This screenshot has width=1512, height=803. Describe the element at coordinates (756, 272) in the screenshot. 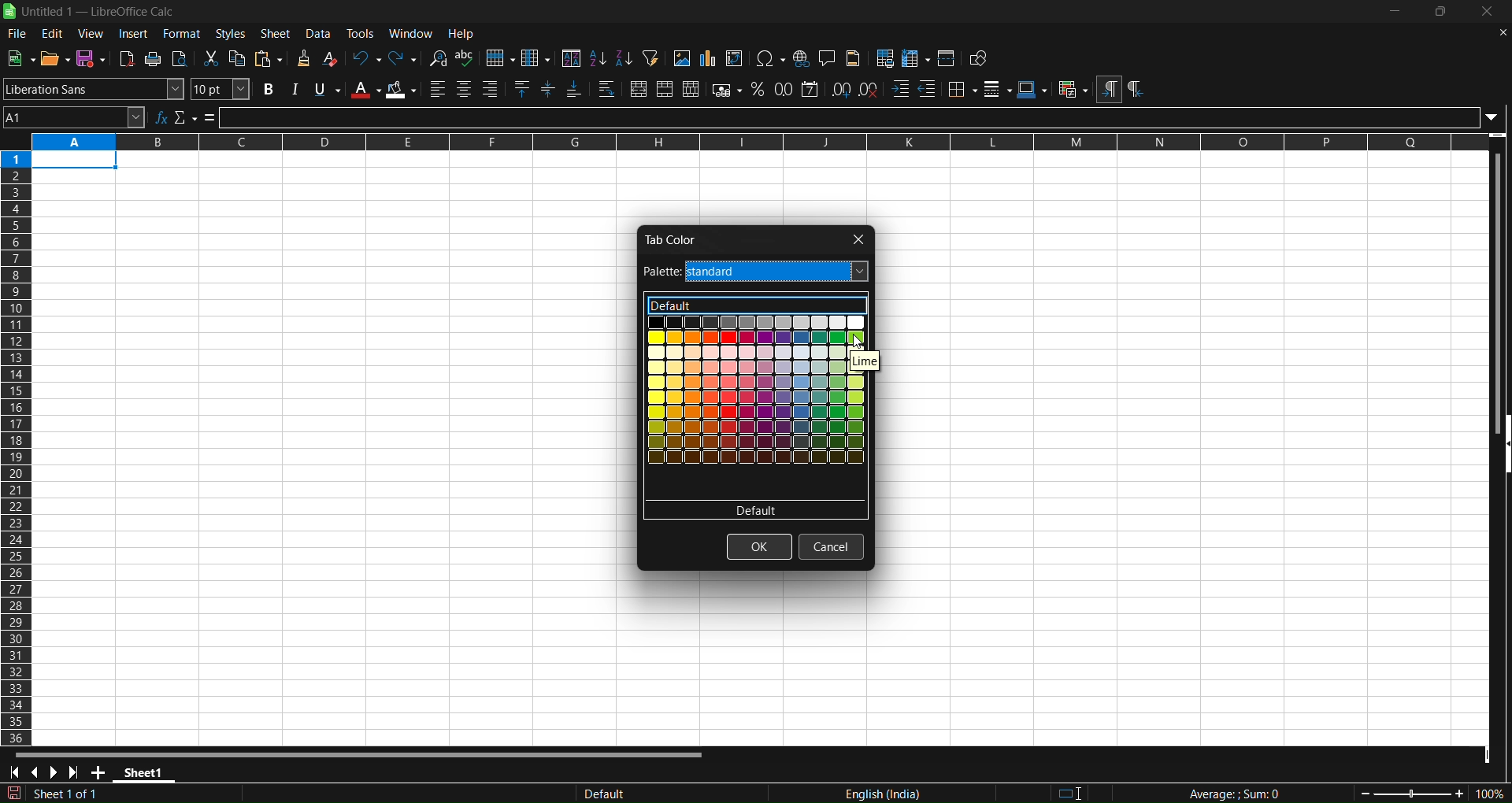

I see `palette` at that location.